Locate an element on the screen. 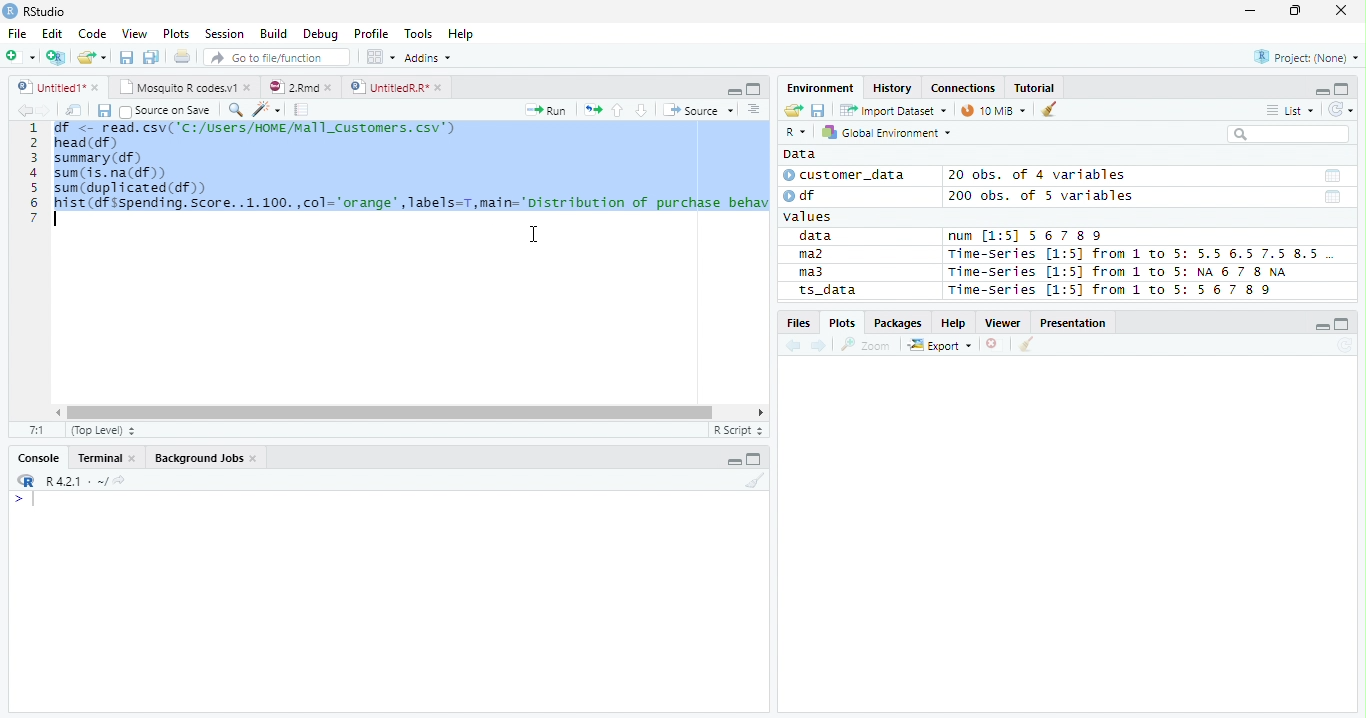  Previous is located at coordinates (22, 110).